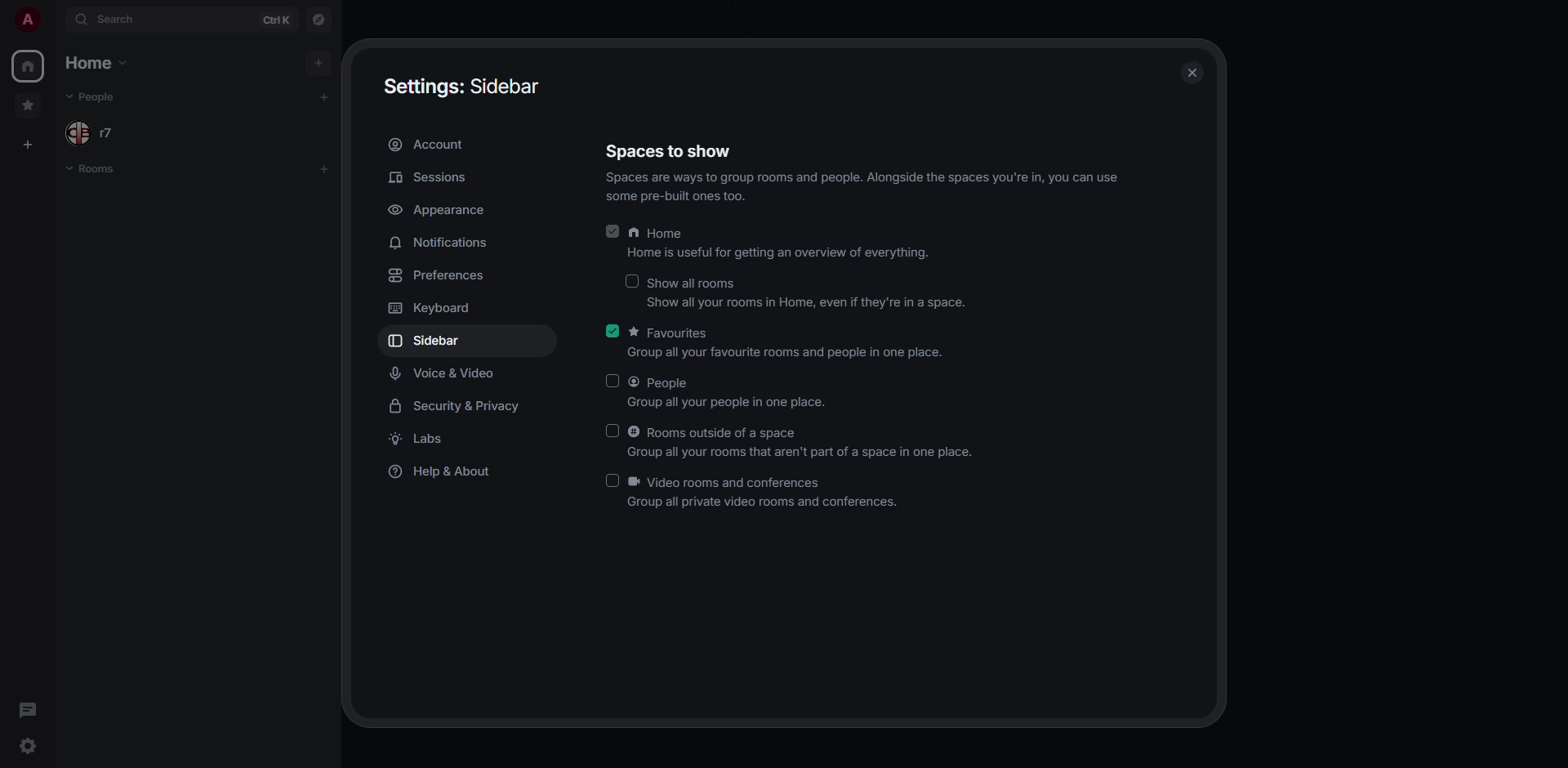  What do you see at coordinates (613, 431) in the screenshot?
I see `click to enable` at bounding box center [613, 431].